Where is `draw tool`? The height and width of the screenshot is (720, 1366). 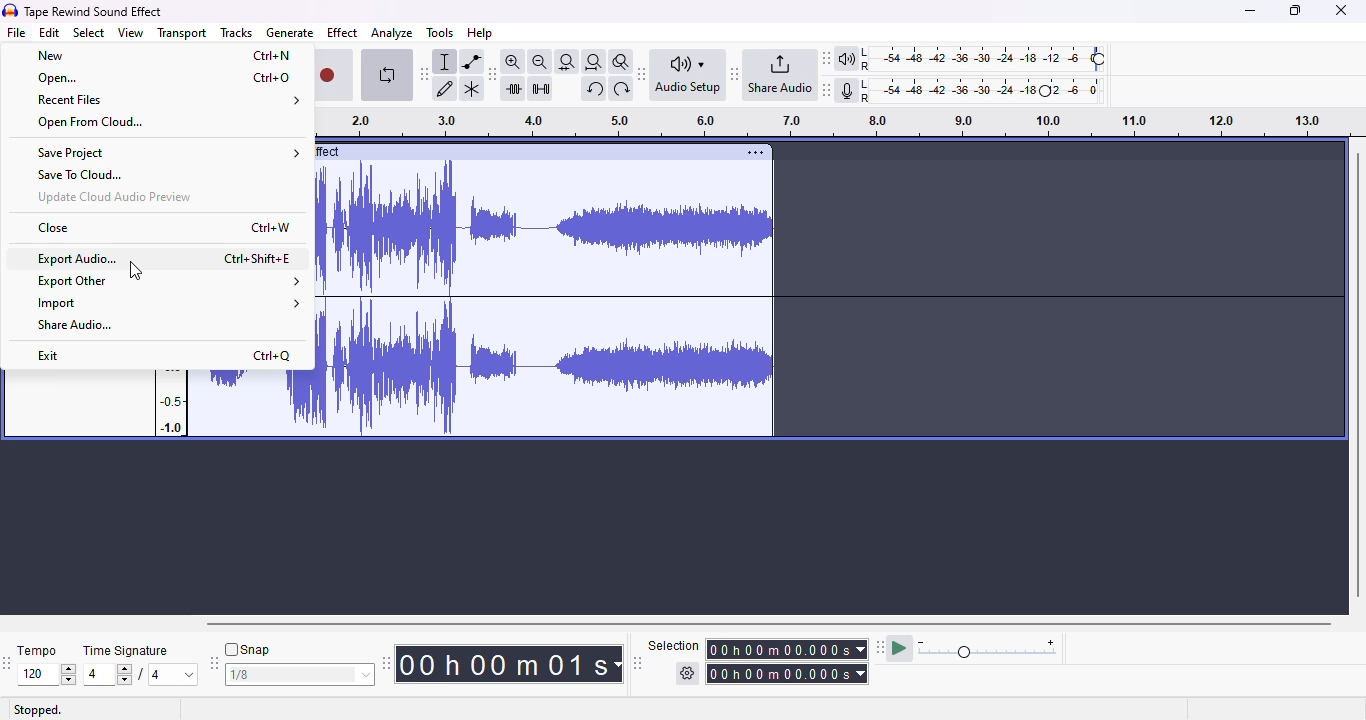
draw tool is located at coordinates (446, 88).